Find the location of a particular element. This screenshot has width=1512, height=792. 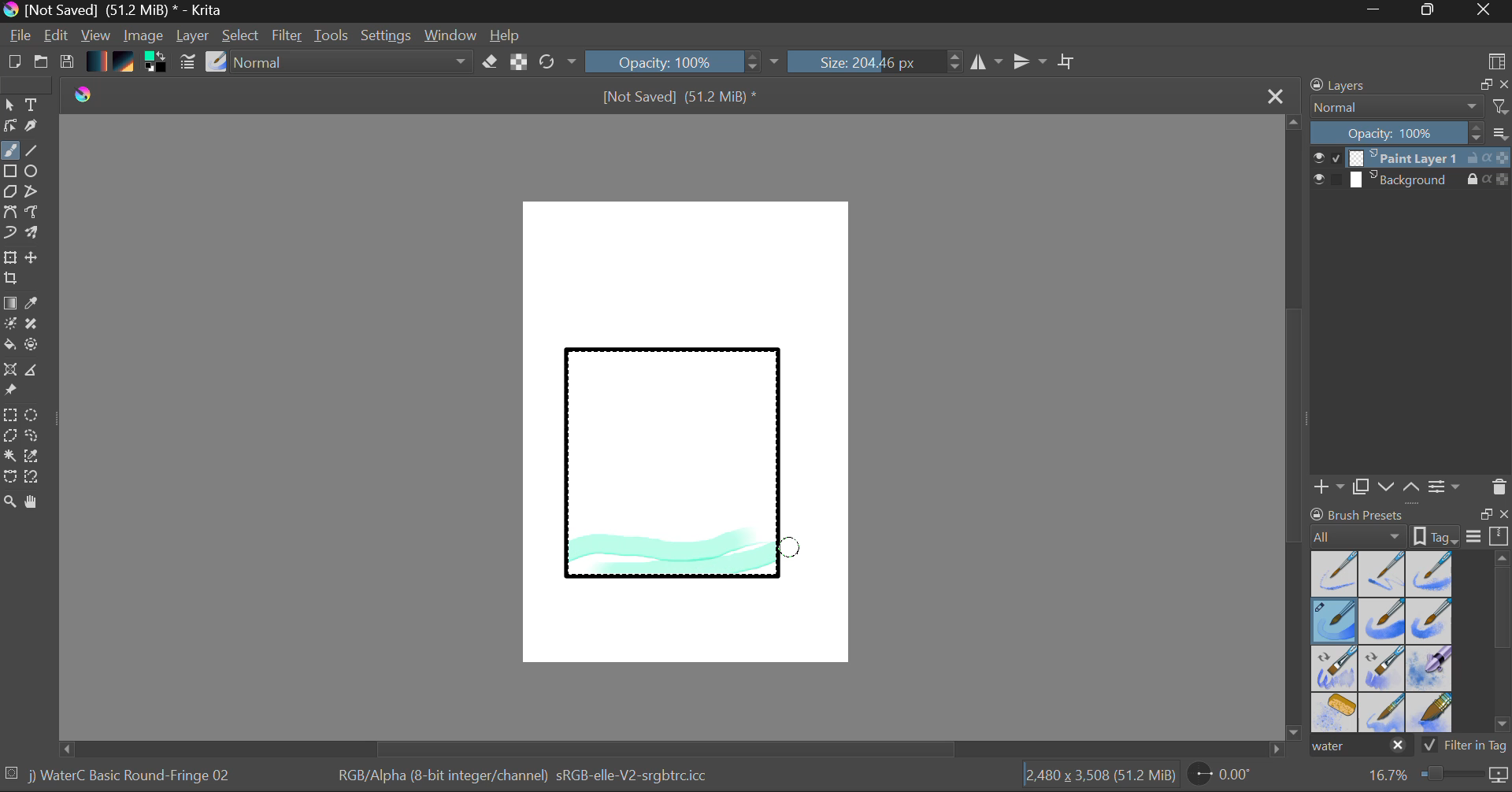

Save is located at coordinates (66, 63).